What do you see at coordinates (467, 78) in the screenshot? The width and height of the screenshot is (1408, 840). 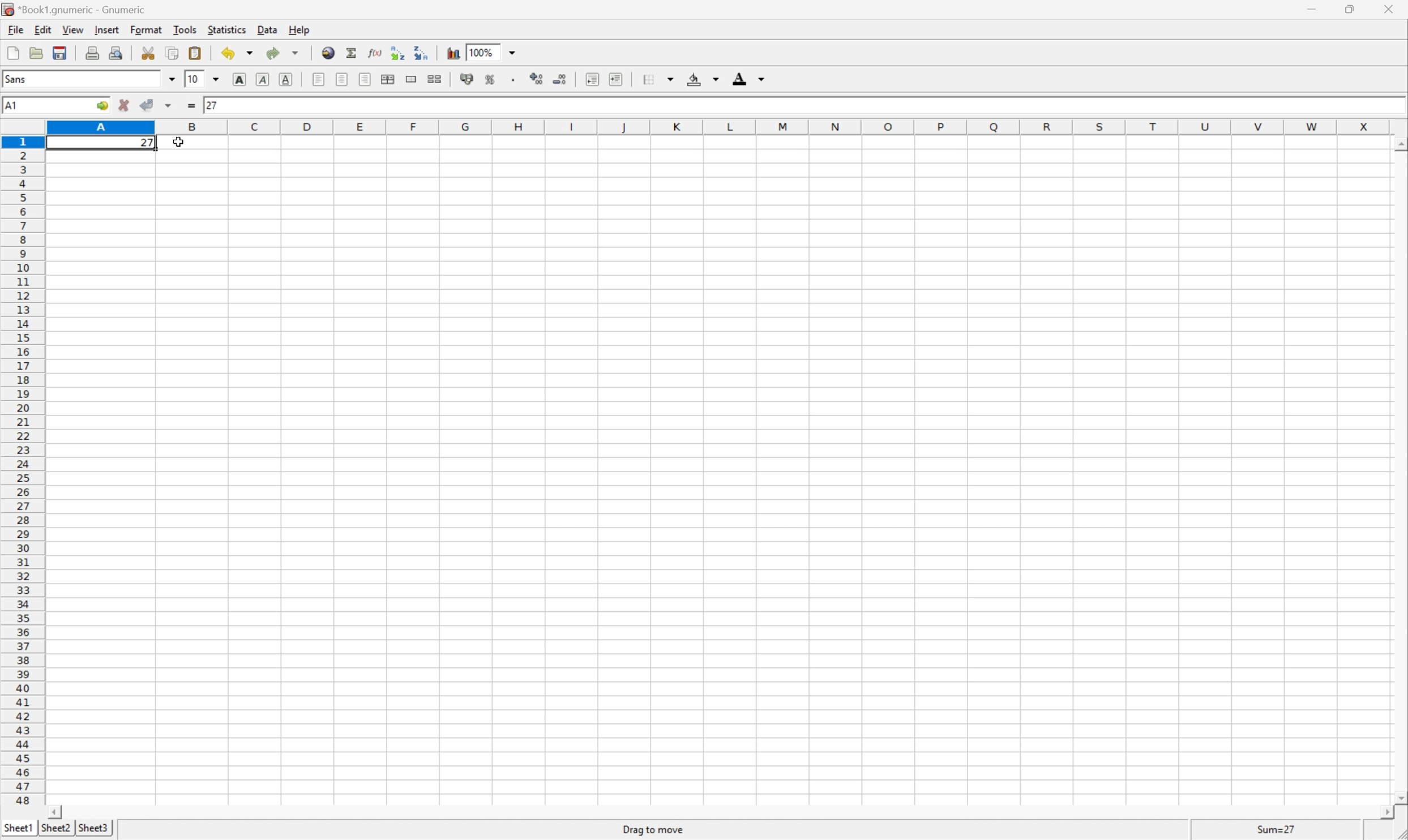 I see `Format the selection as accounting` at bounding box center [467, 78].